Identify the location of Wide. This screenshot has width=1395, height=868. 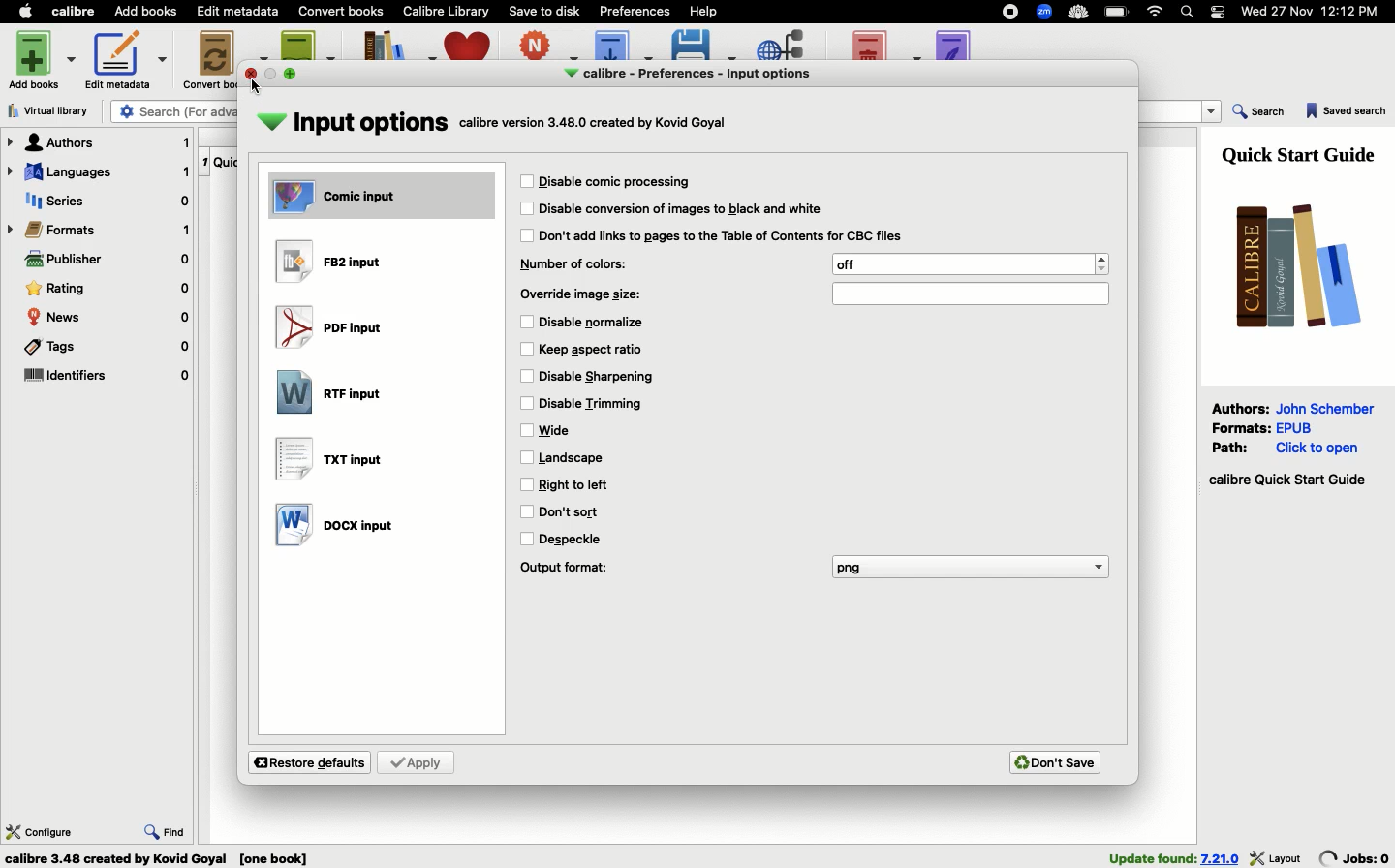
(565, 430).